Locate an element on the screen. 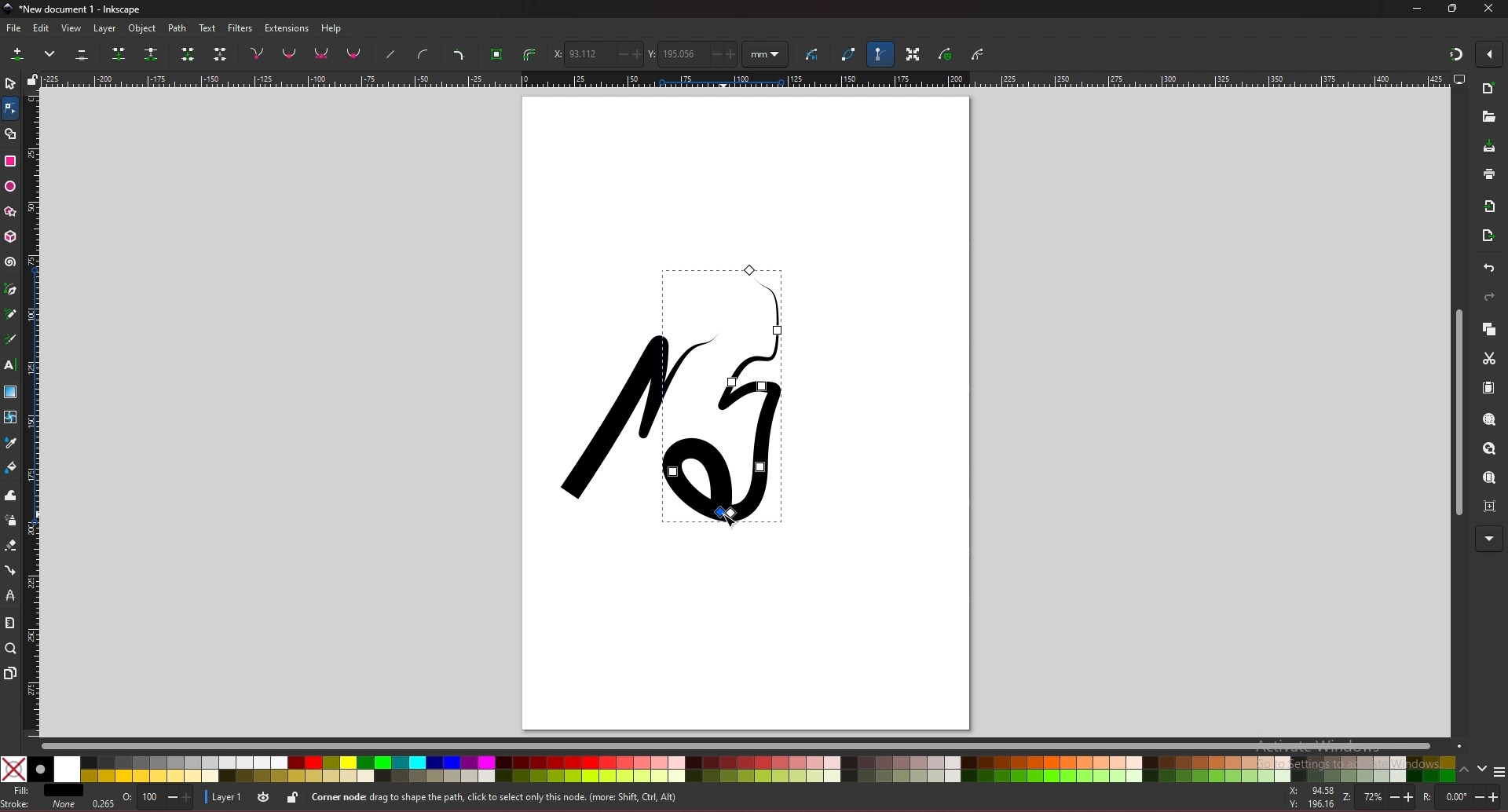 The image size is (1508, 812). scroll bar is located at coordinates (1456, 411).